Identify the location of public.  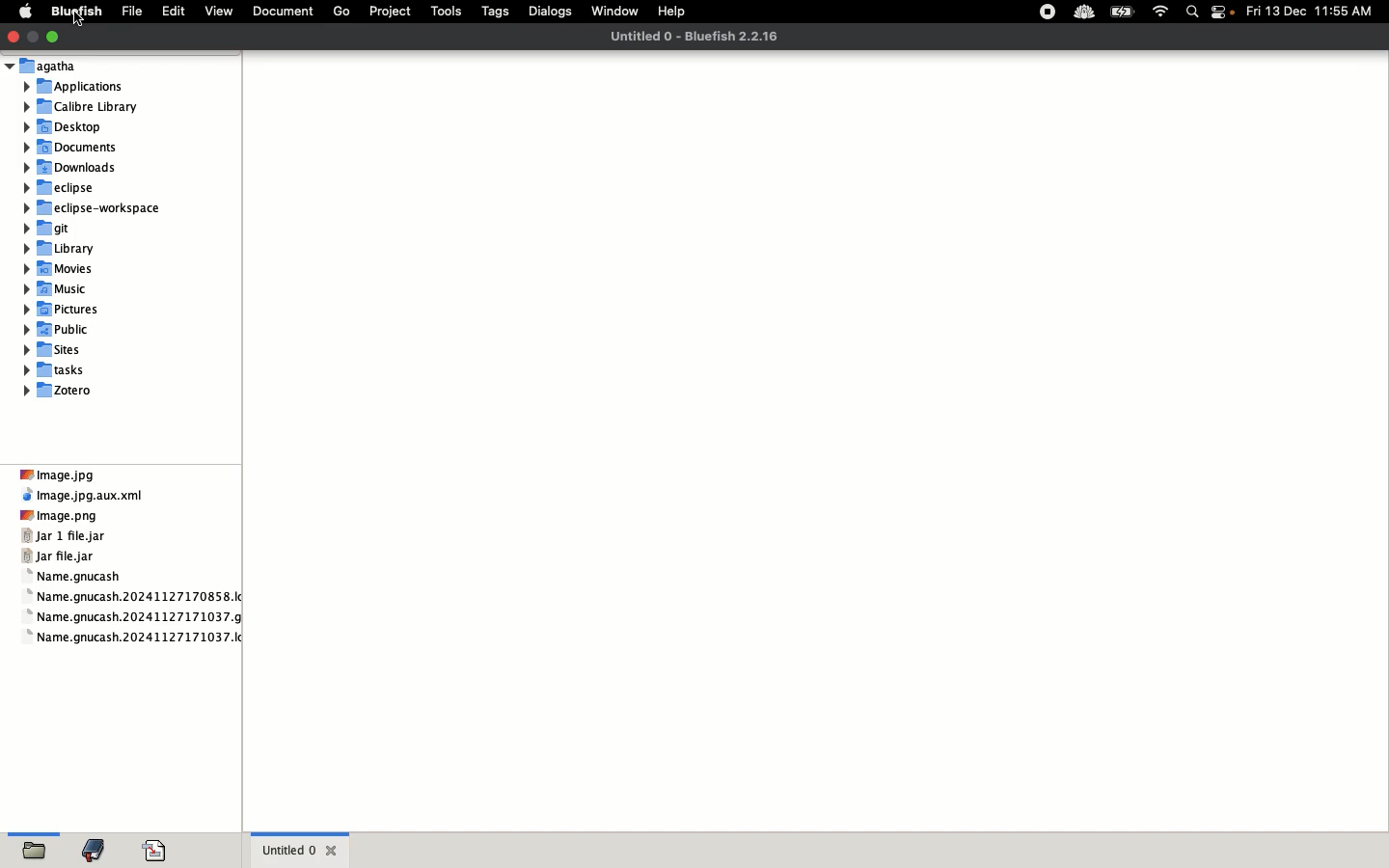
(61, 328).